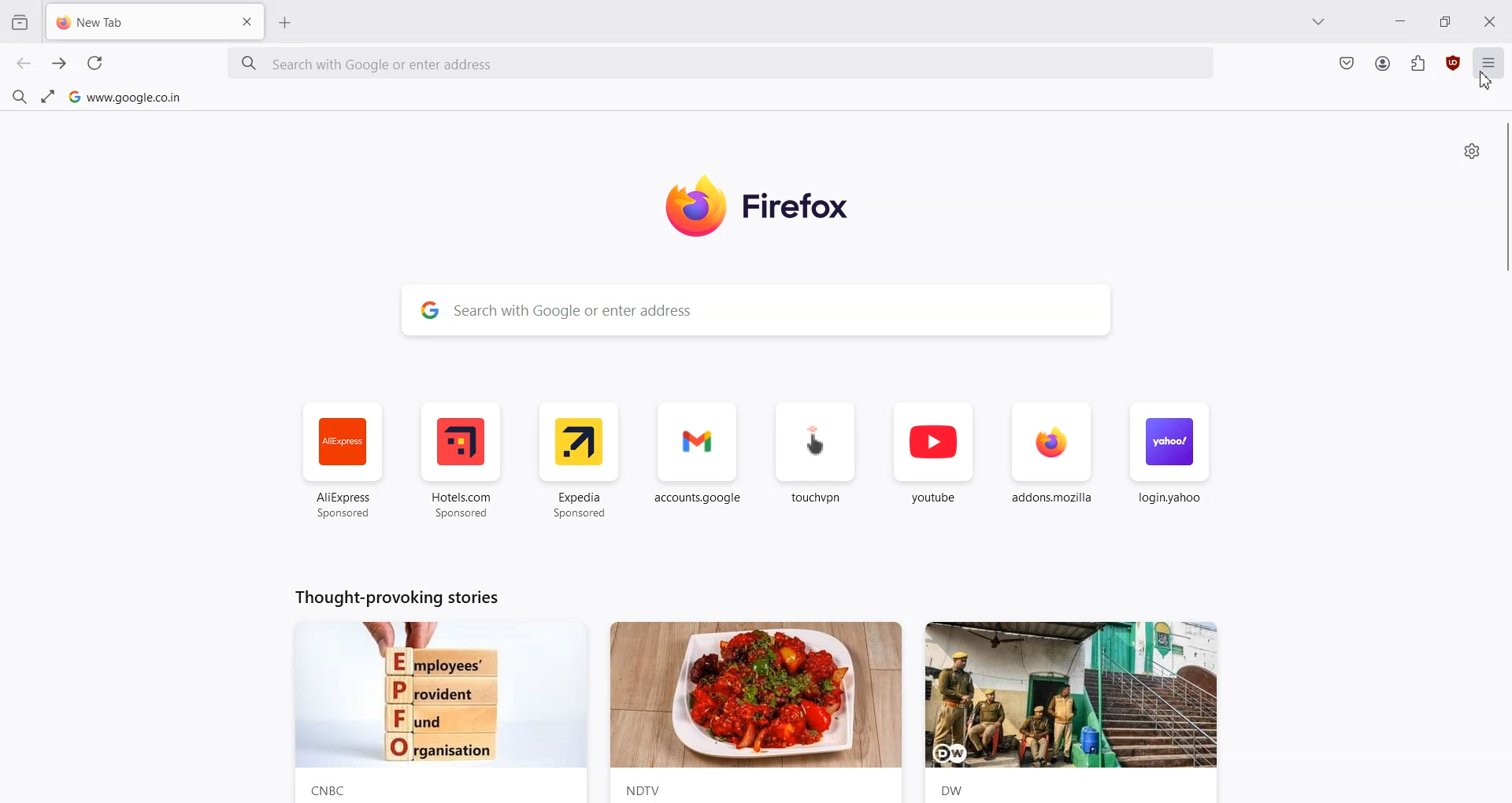 The image size is (1512, 803). What do you see at coordinates (48, 95) in the screenshot?
I see `Fullscreen` at bounding box center [48, 95].